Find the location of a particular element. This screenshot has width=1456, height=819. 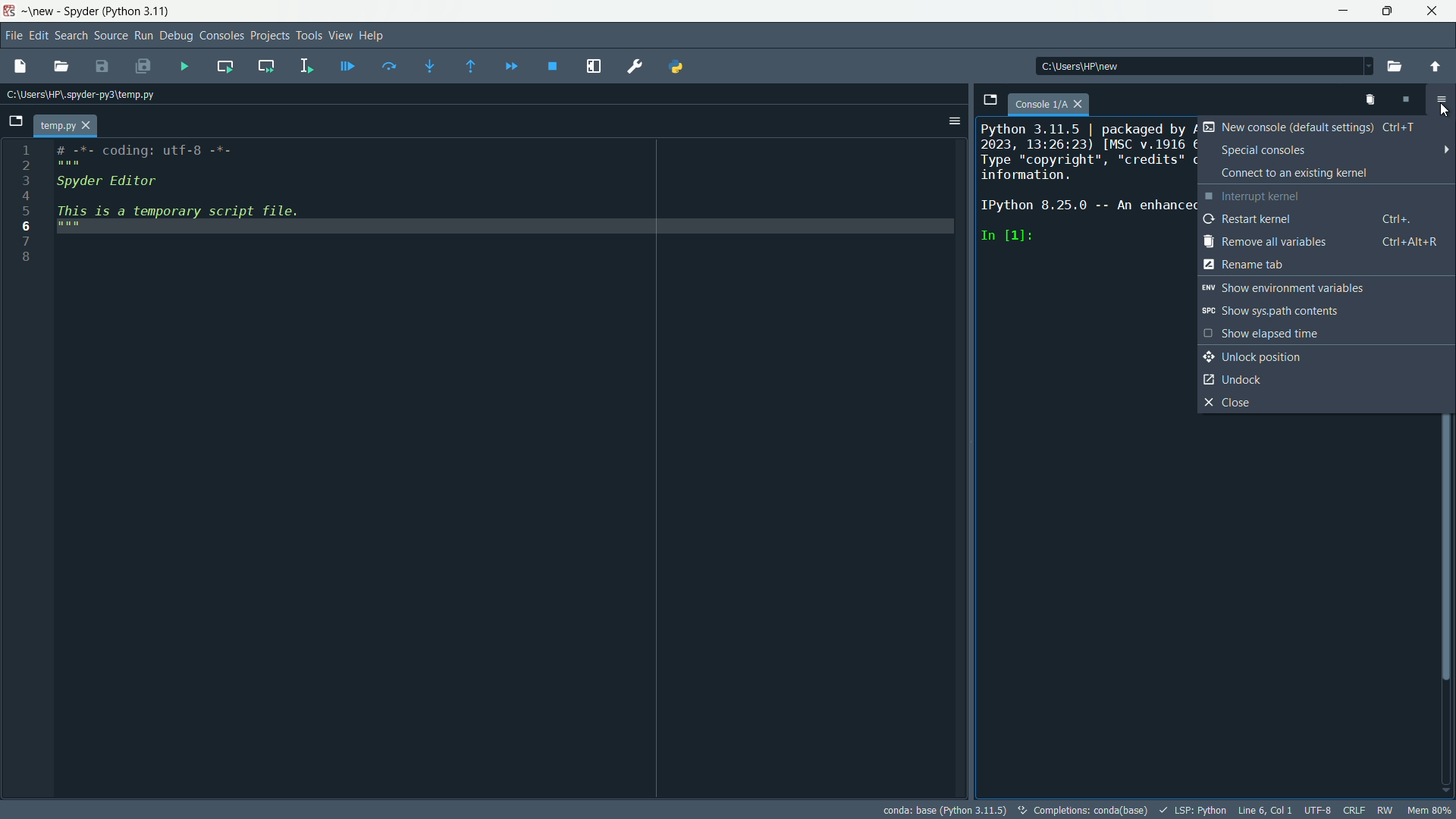

Special Console is located at coordinates (1324, 149).